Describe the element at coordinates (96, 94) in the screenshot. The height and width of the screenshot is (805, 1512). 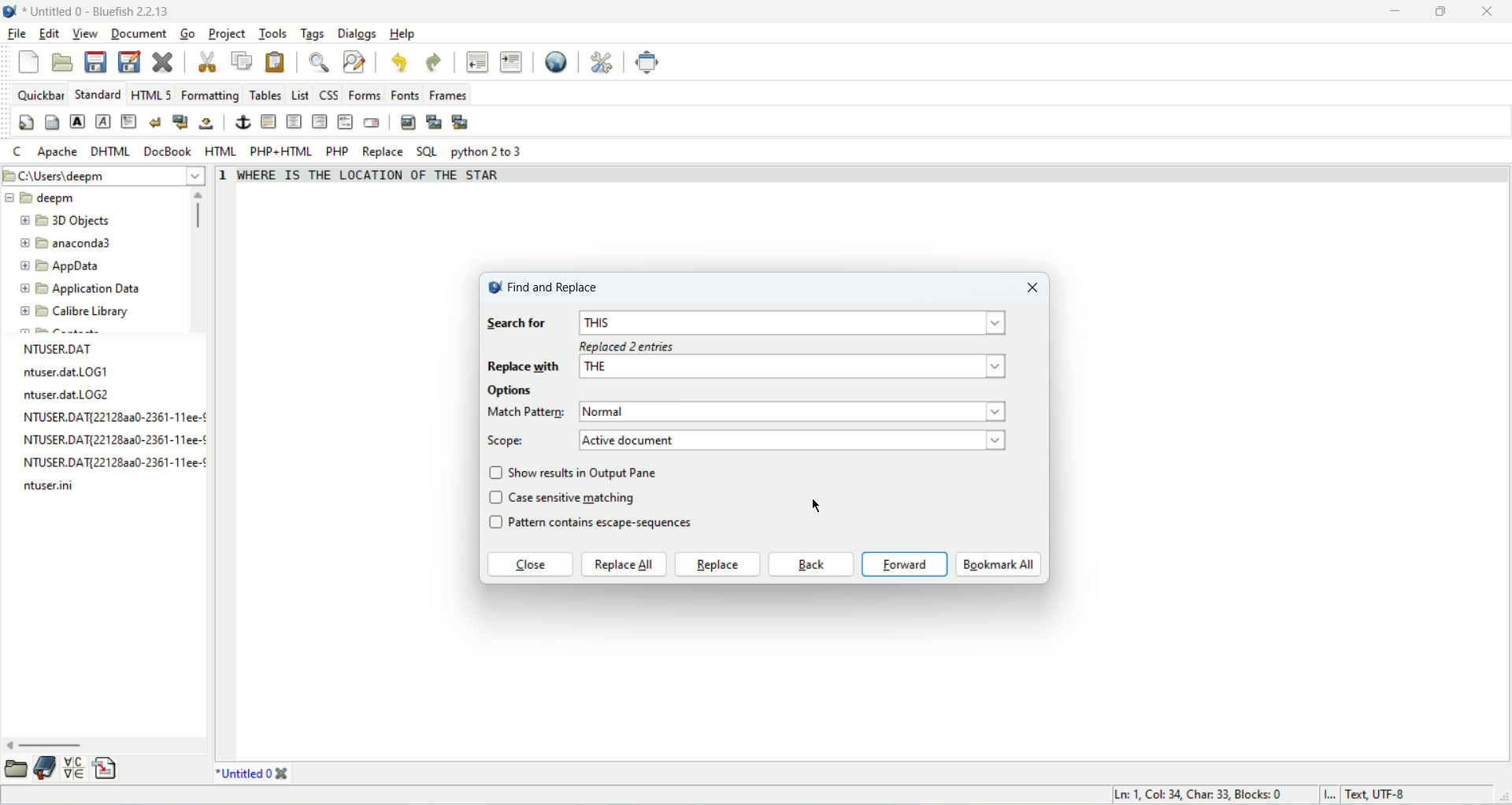
I see `standard` at that location.